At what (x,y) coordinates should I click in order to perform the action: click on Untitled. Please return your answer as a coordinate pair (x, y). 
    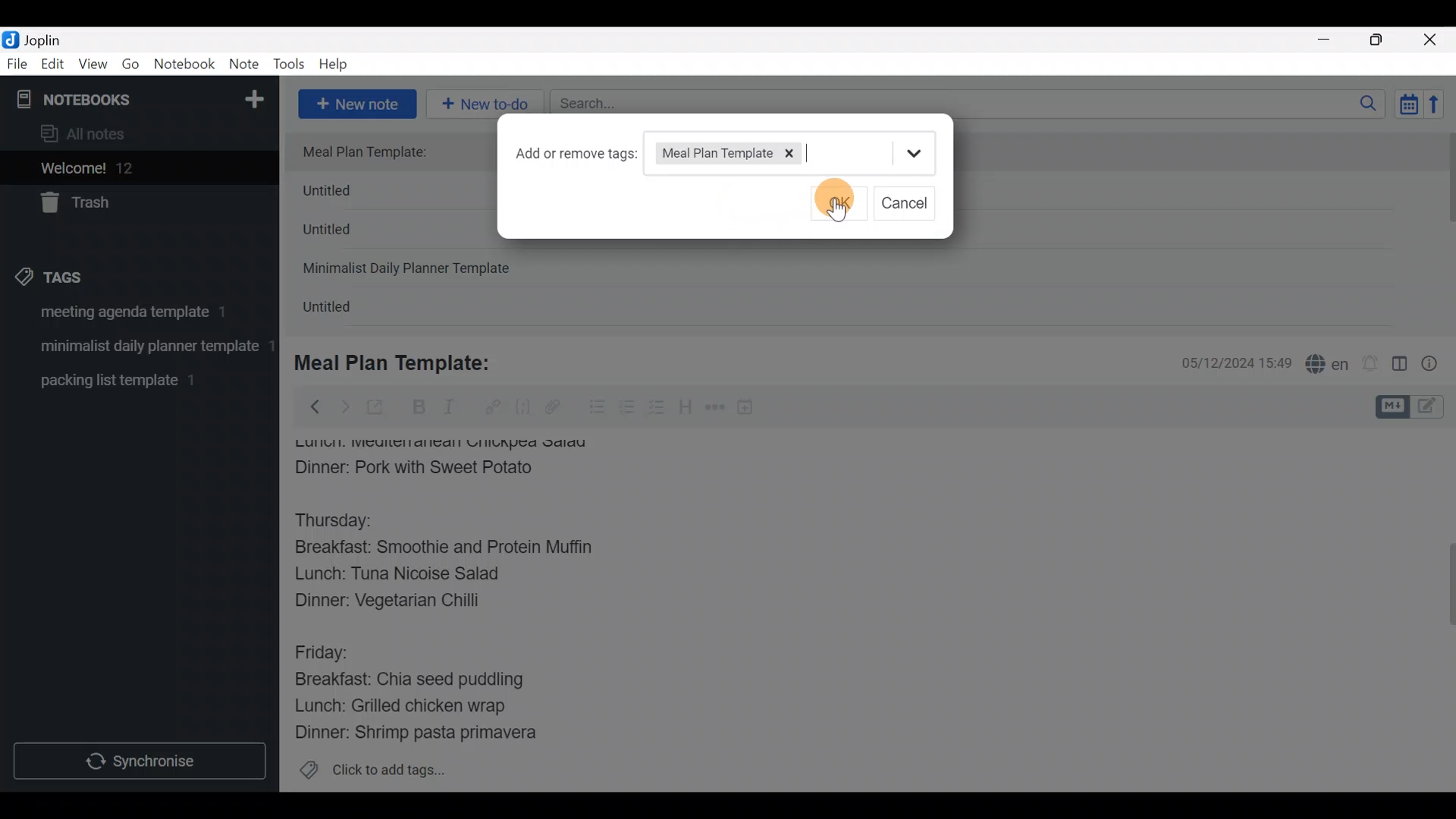
    Looking at the image, I should click on (352, 194).